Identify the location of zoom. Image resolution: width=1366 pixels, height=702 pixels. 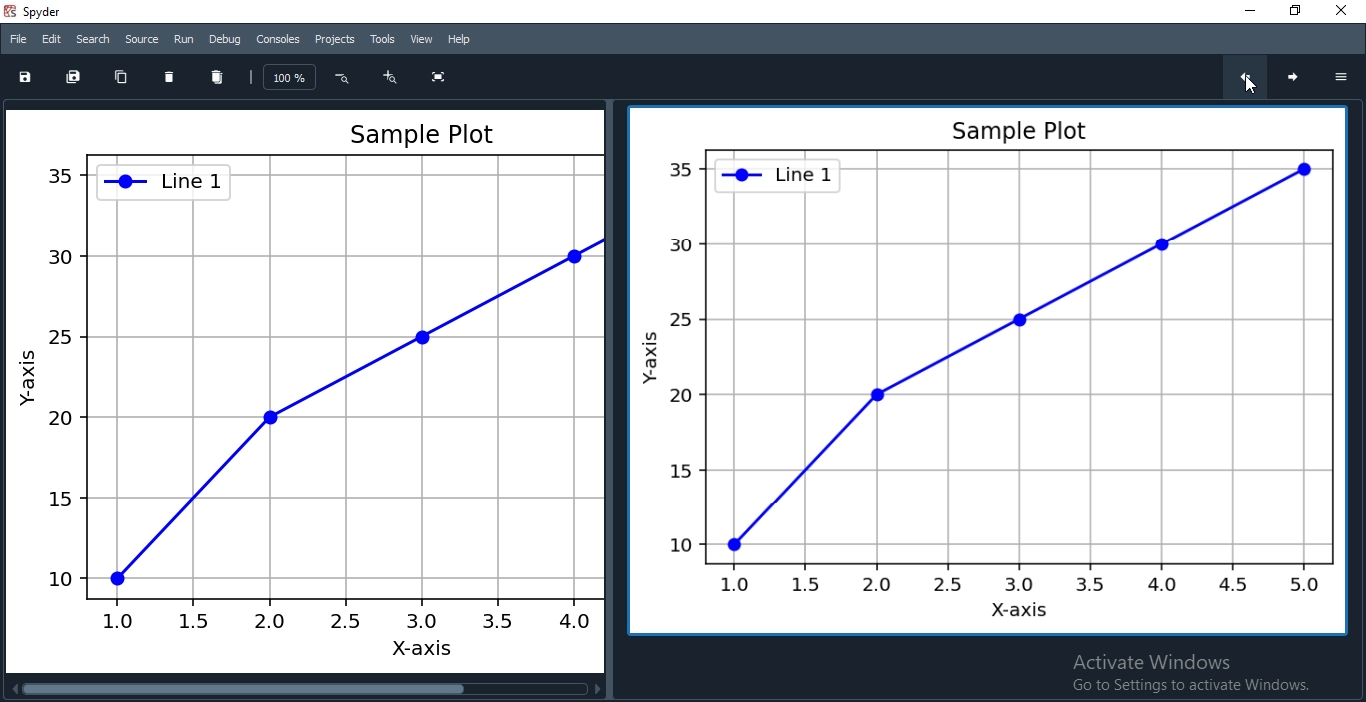
(291, 77).